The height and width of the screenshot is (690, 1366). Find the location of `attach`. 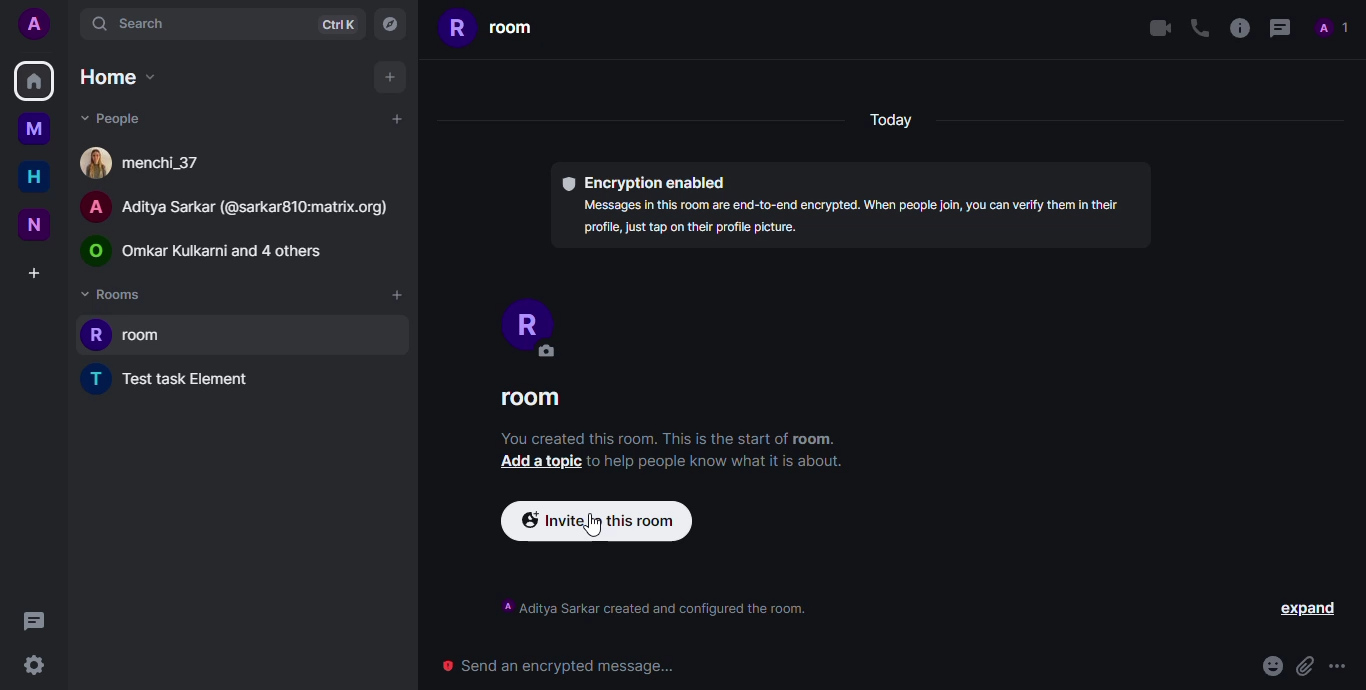

attach is located at coordinates (1304, 665).